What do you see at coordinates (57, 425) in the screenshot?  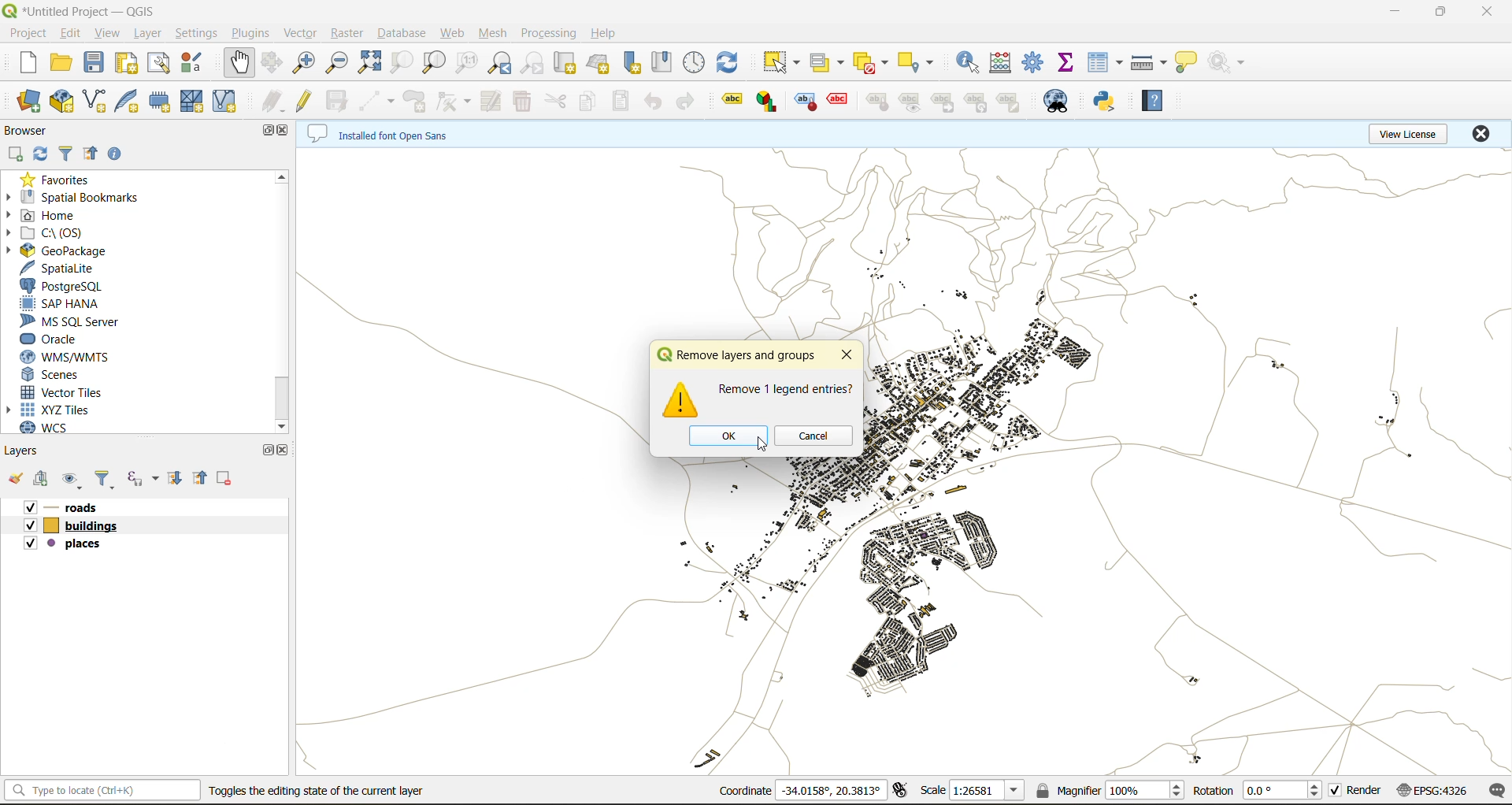 I see `wcs` at bounding box center [57, 425].